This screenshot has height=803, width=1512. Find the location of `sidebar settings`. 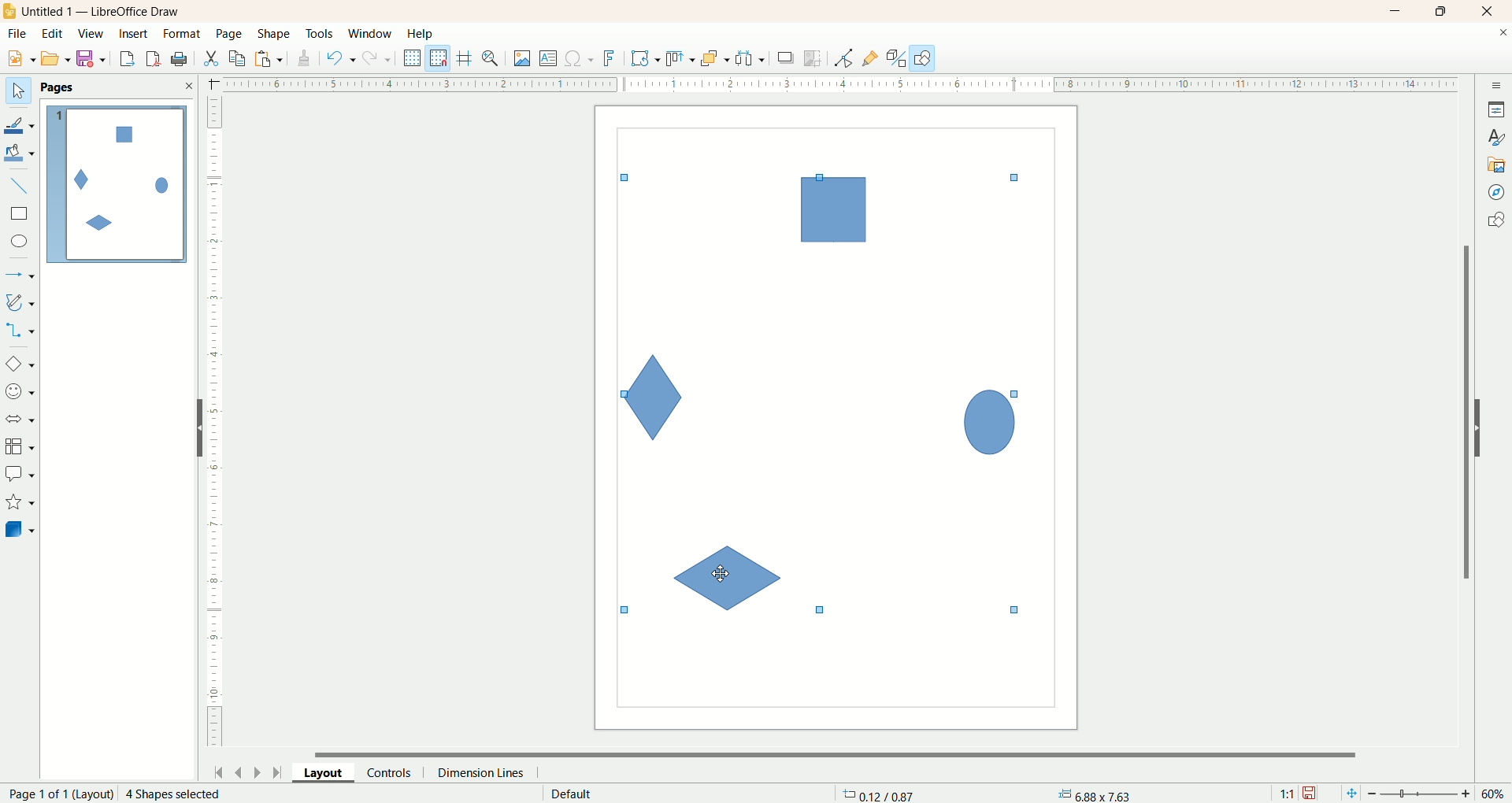

sidebar settings is located at coordinates (1497, 83).